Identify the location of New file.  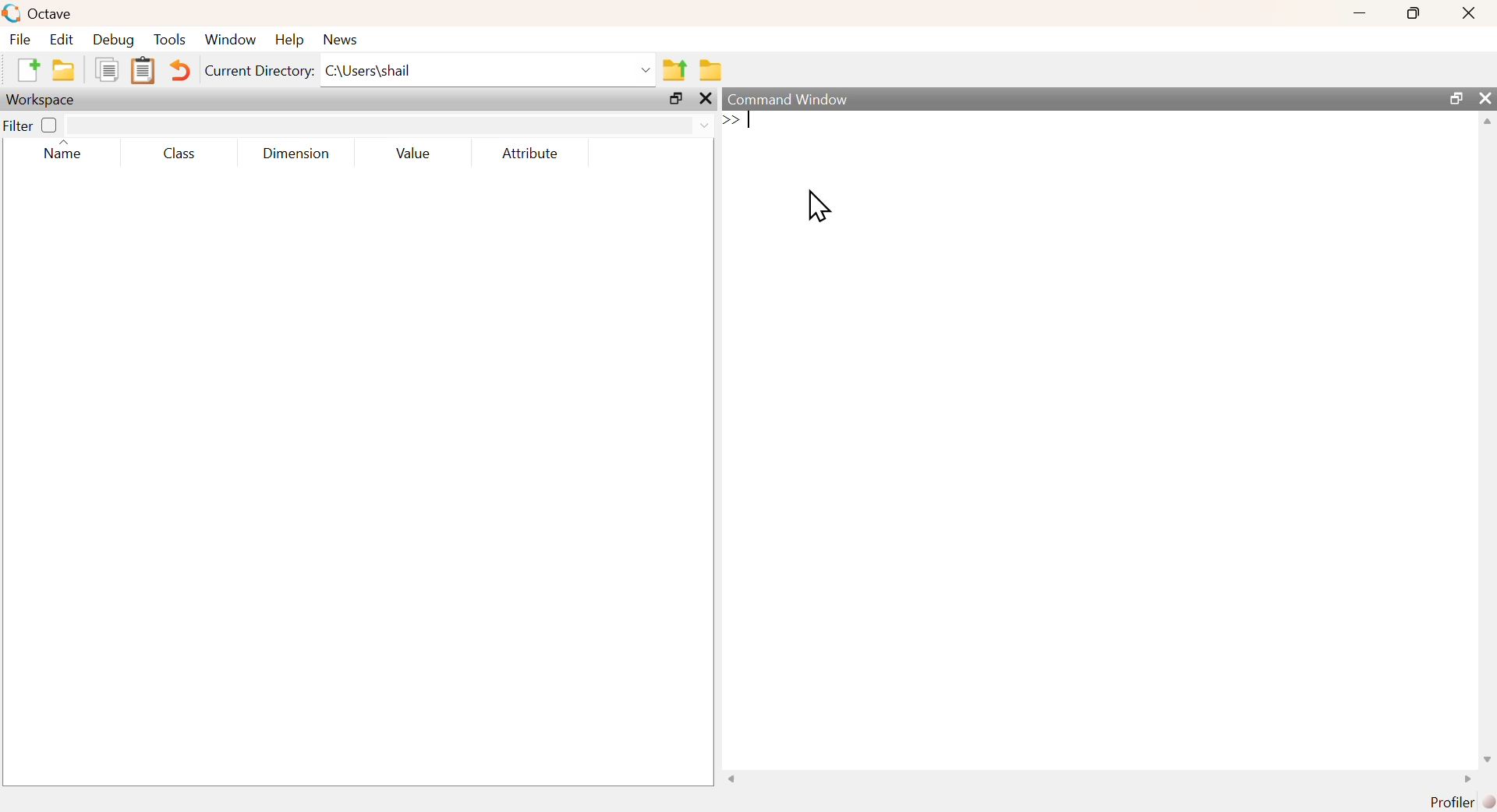
(27, 69).